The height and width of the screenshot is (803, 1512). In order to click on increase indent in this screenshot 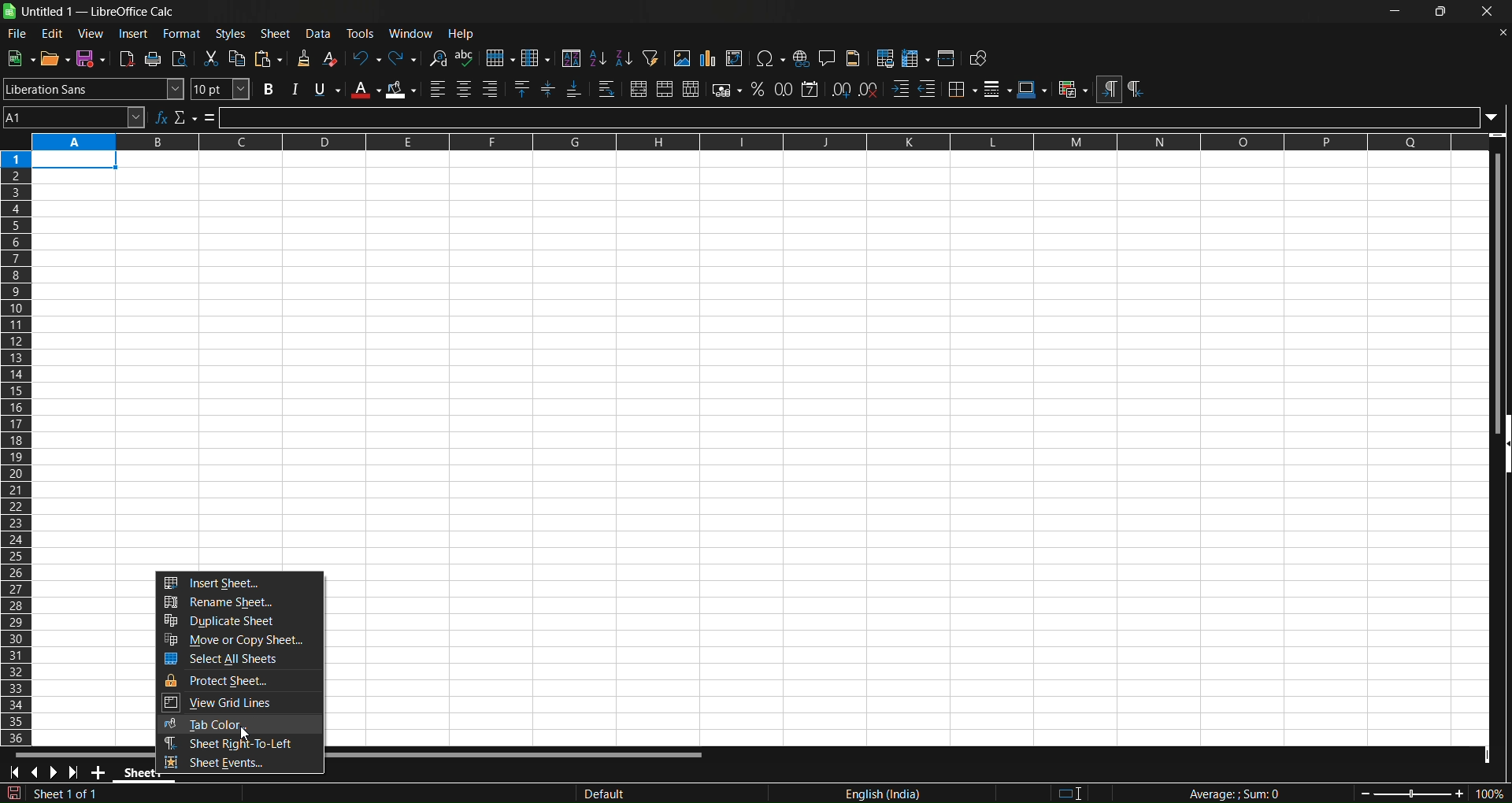, I will do `click(900, 90)`.